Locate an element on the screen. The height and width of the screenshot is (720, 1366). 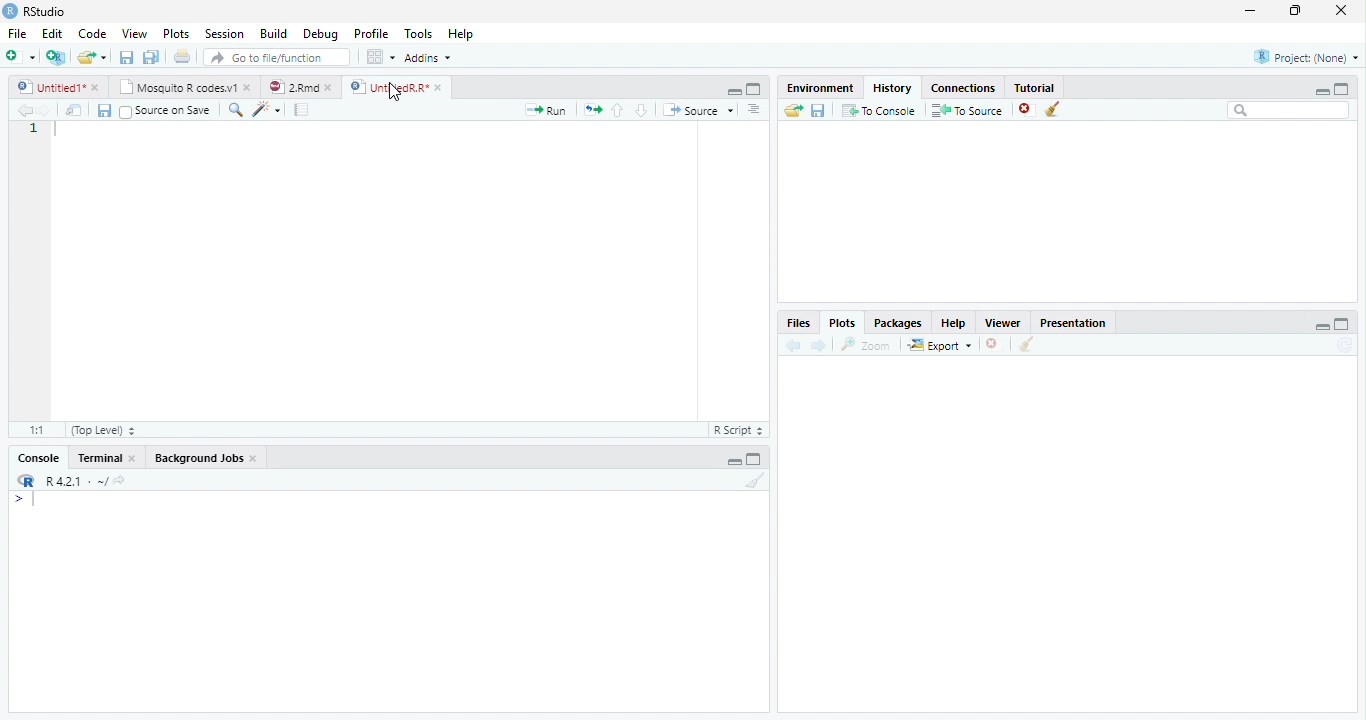
To Console is located at coordinates (879, 110).